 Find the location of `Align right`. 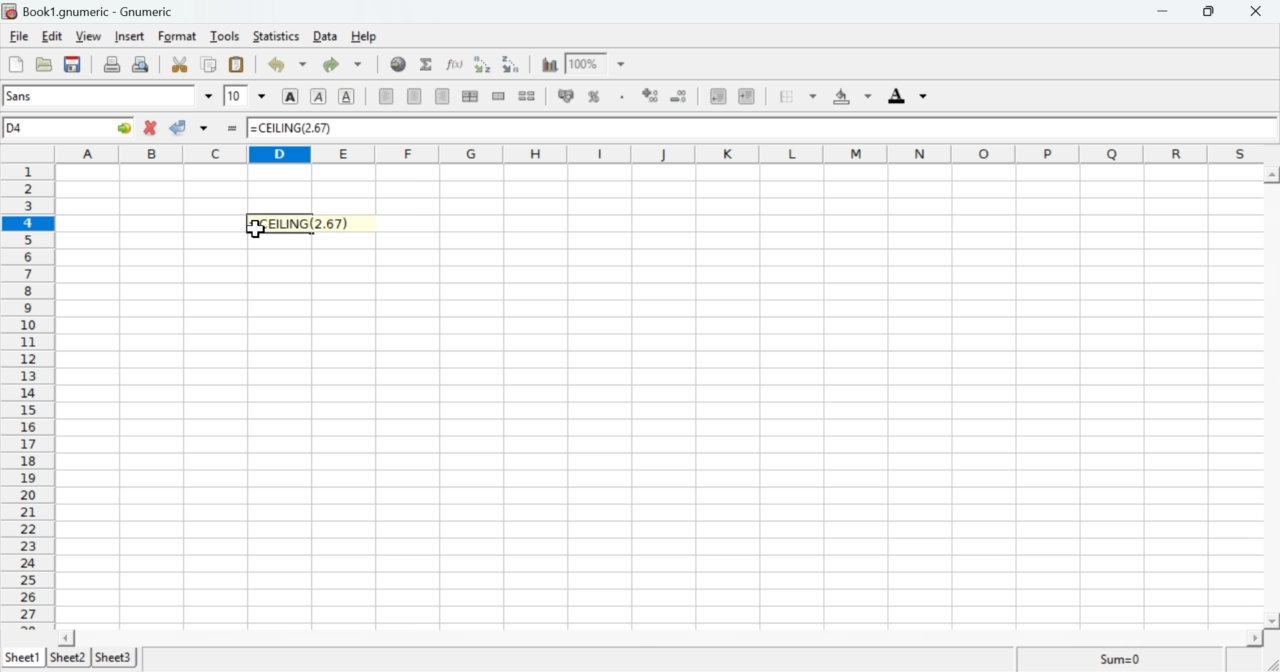

Align right is located at coordinates (416, 98).